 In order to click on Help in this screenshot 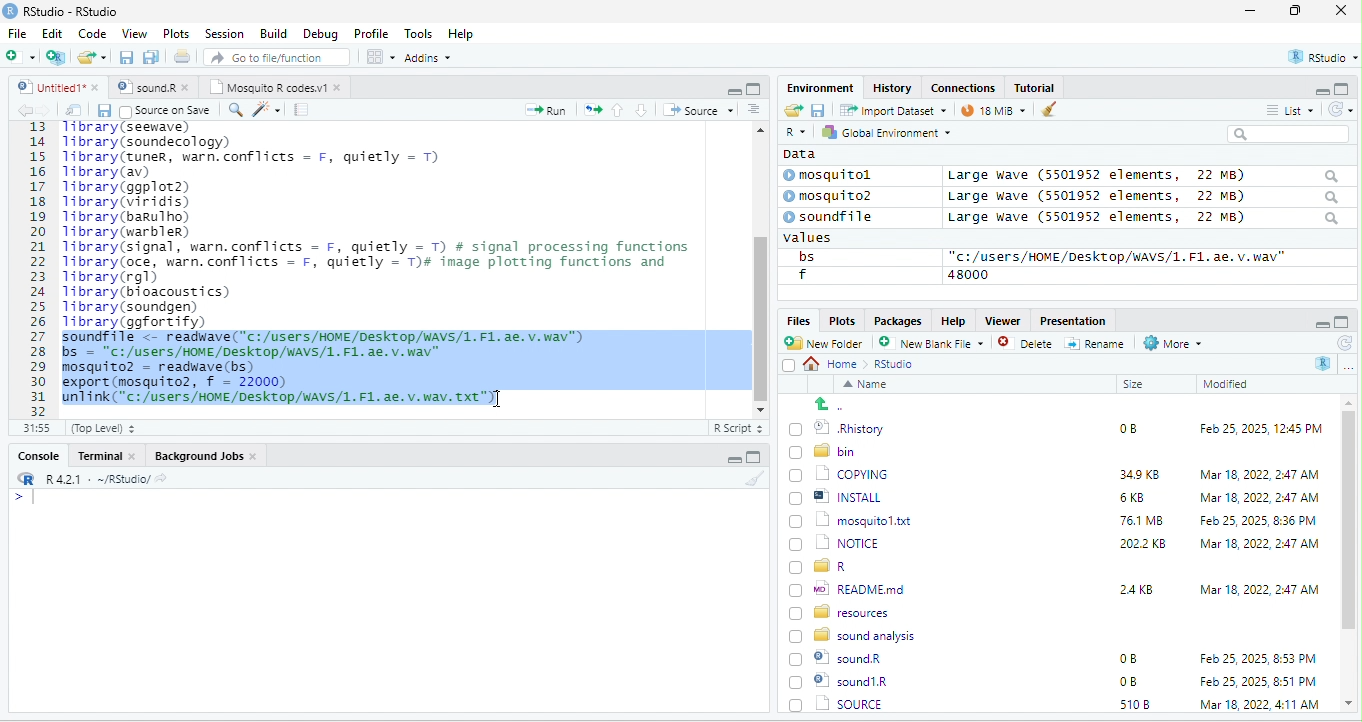, I will do `click(462, 35)`.